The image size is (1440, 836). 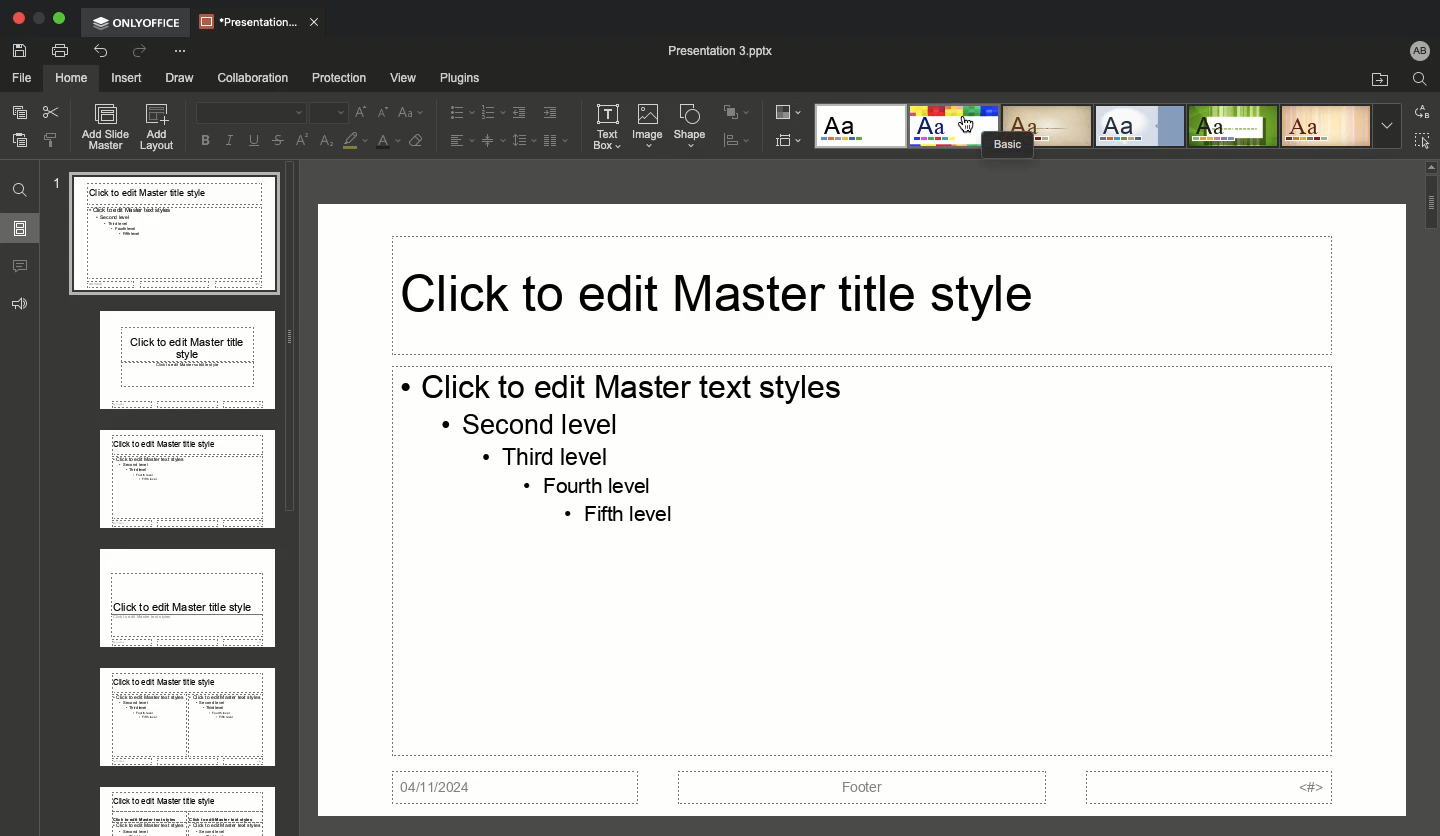 I want to click on Decrease indent, so click(x=520, y=113).